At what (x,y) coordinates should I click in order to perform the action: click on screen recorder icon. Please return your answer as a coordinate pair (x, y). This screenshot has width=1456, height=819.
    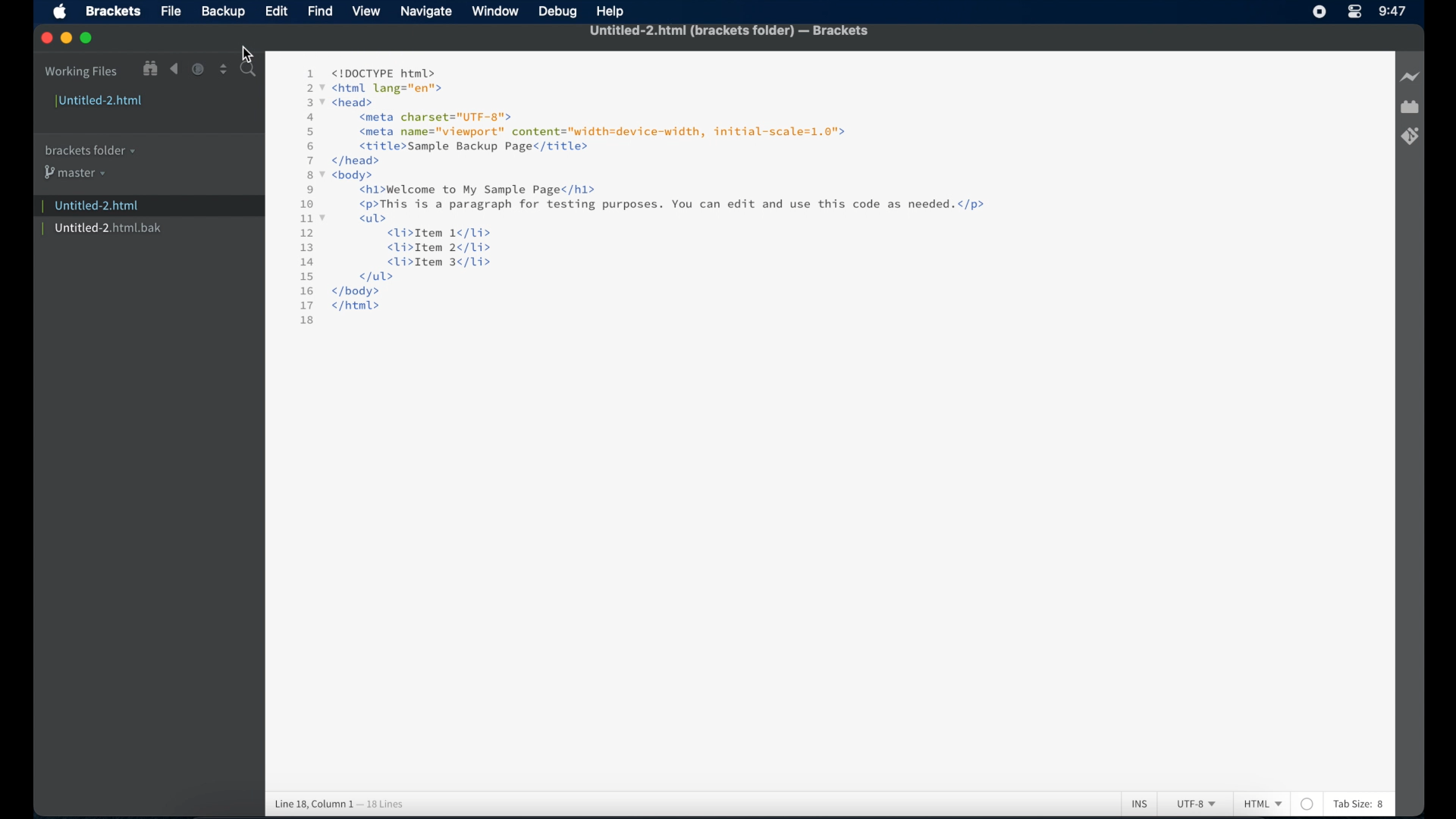
    Looking at the image, I should click on (1319, 11).